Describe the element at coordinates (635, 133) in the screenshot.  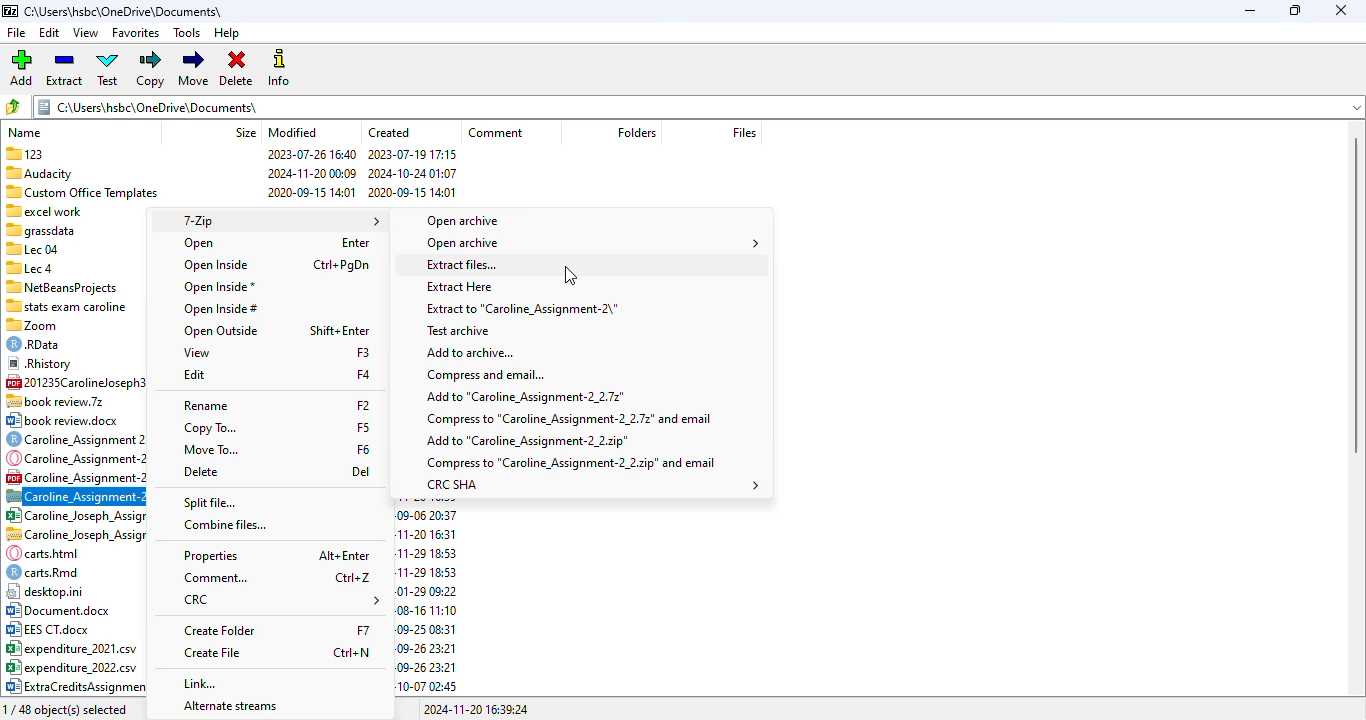
I see `folders` at that location.